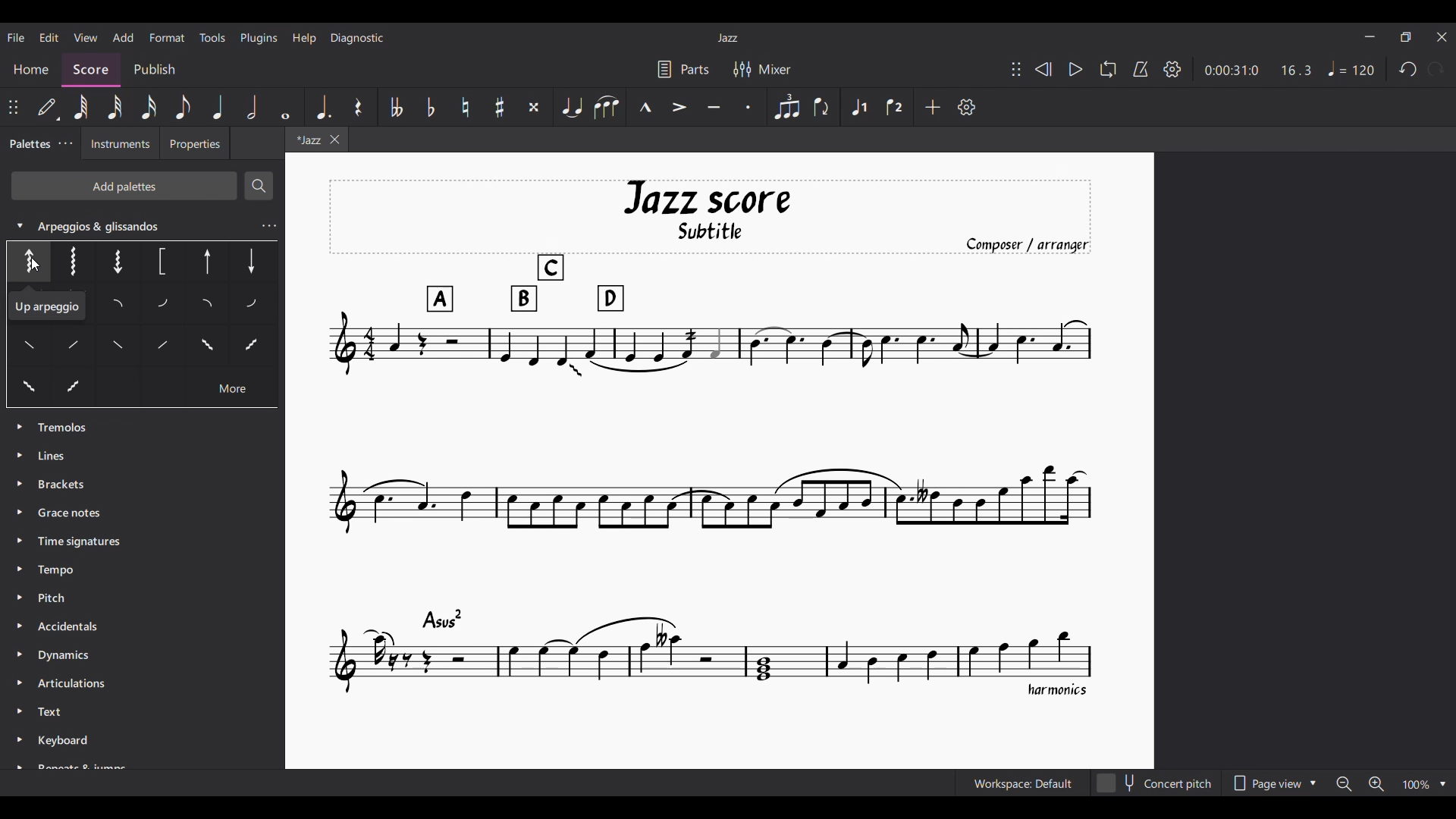  Describe the element at coordinates (679, 107) in the screenshot. I see `Accent ` at that location.